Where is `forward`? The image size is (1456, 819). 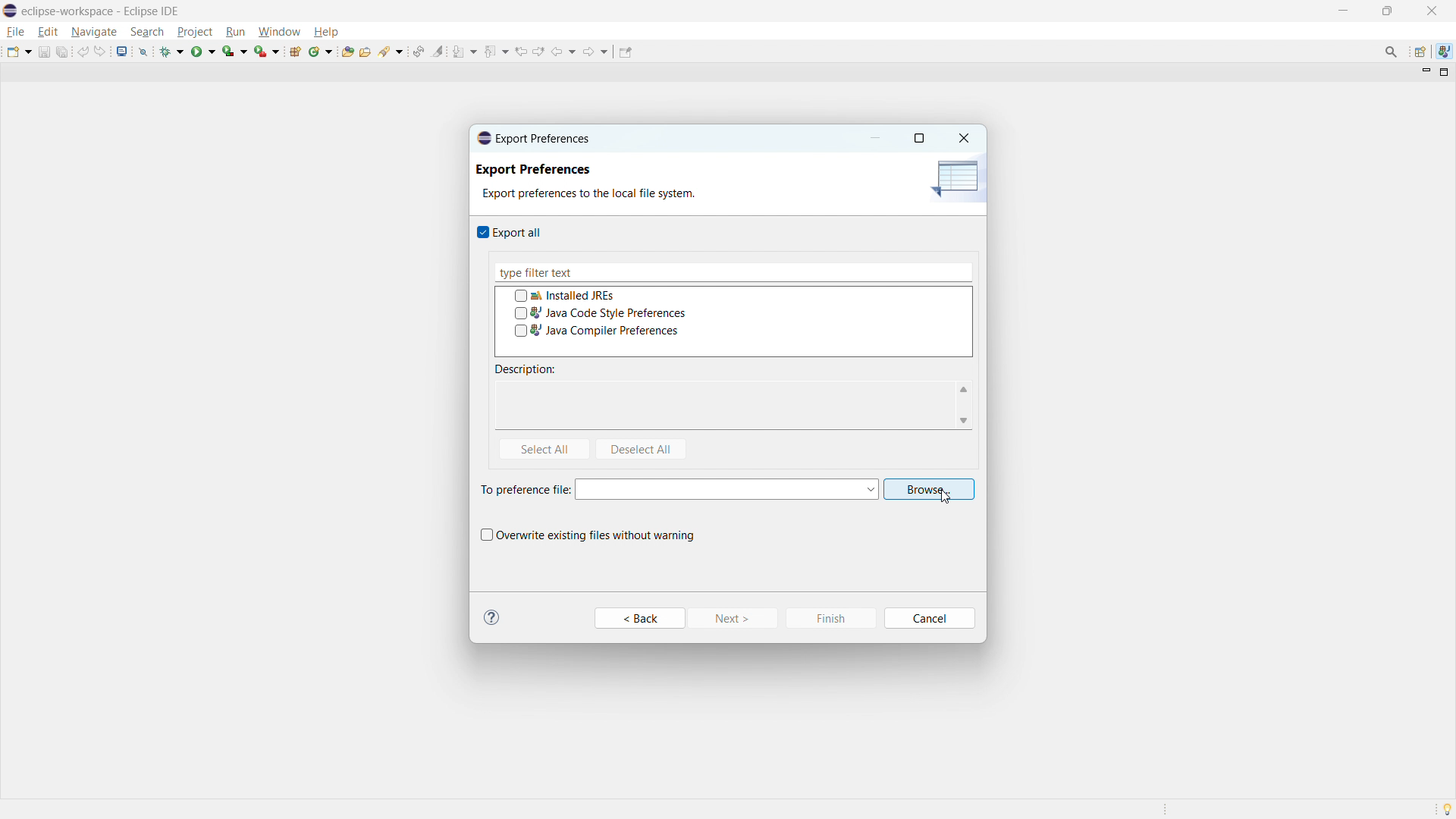 forward is located at coordinates (596, 52).